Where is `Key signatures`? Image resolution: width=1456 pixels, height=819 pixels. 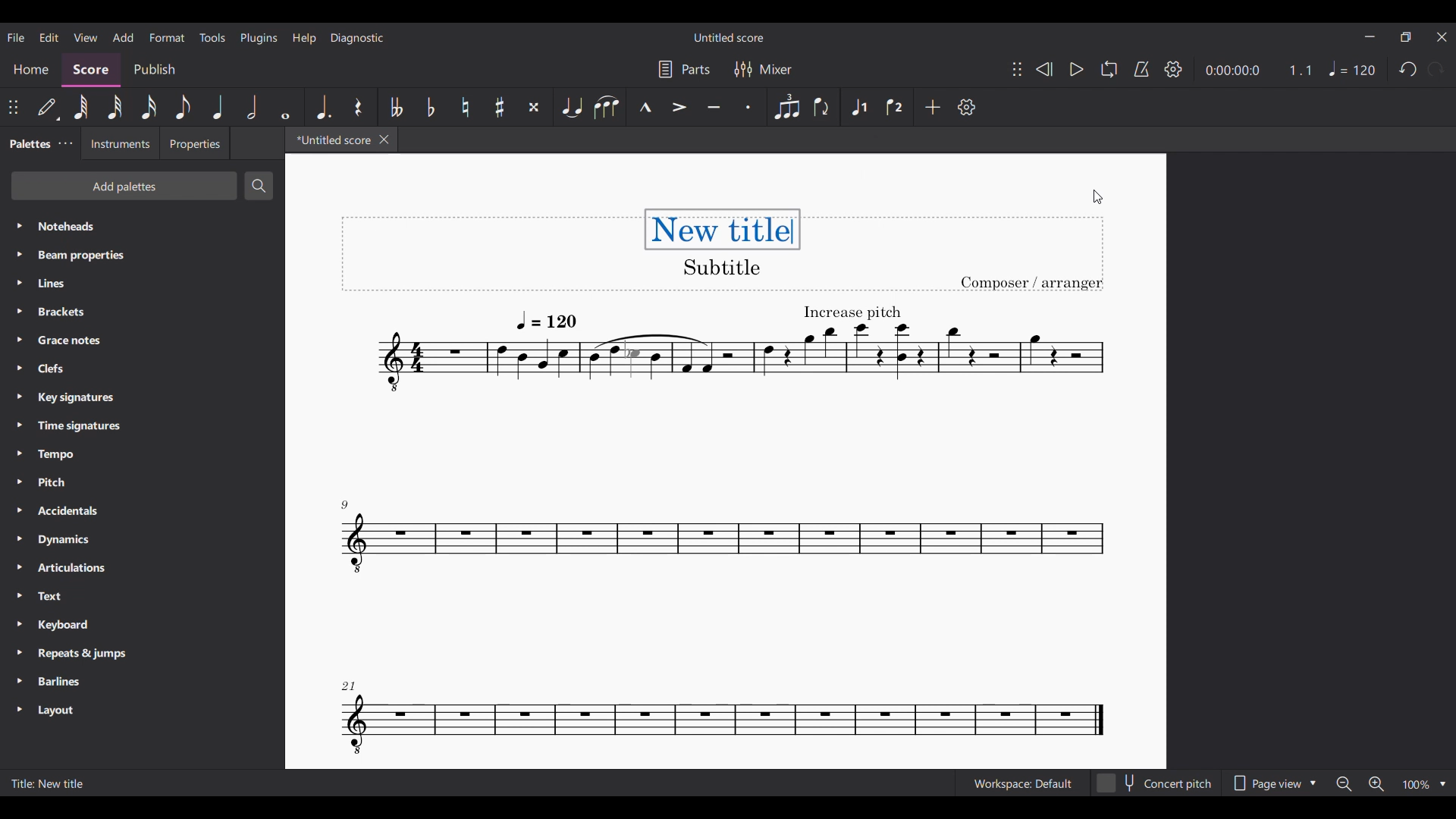
Key signatures is located at coordinates (143, 397).